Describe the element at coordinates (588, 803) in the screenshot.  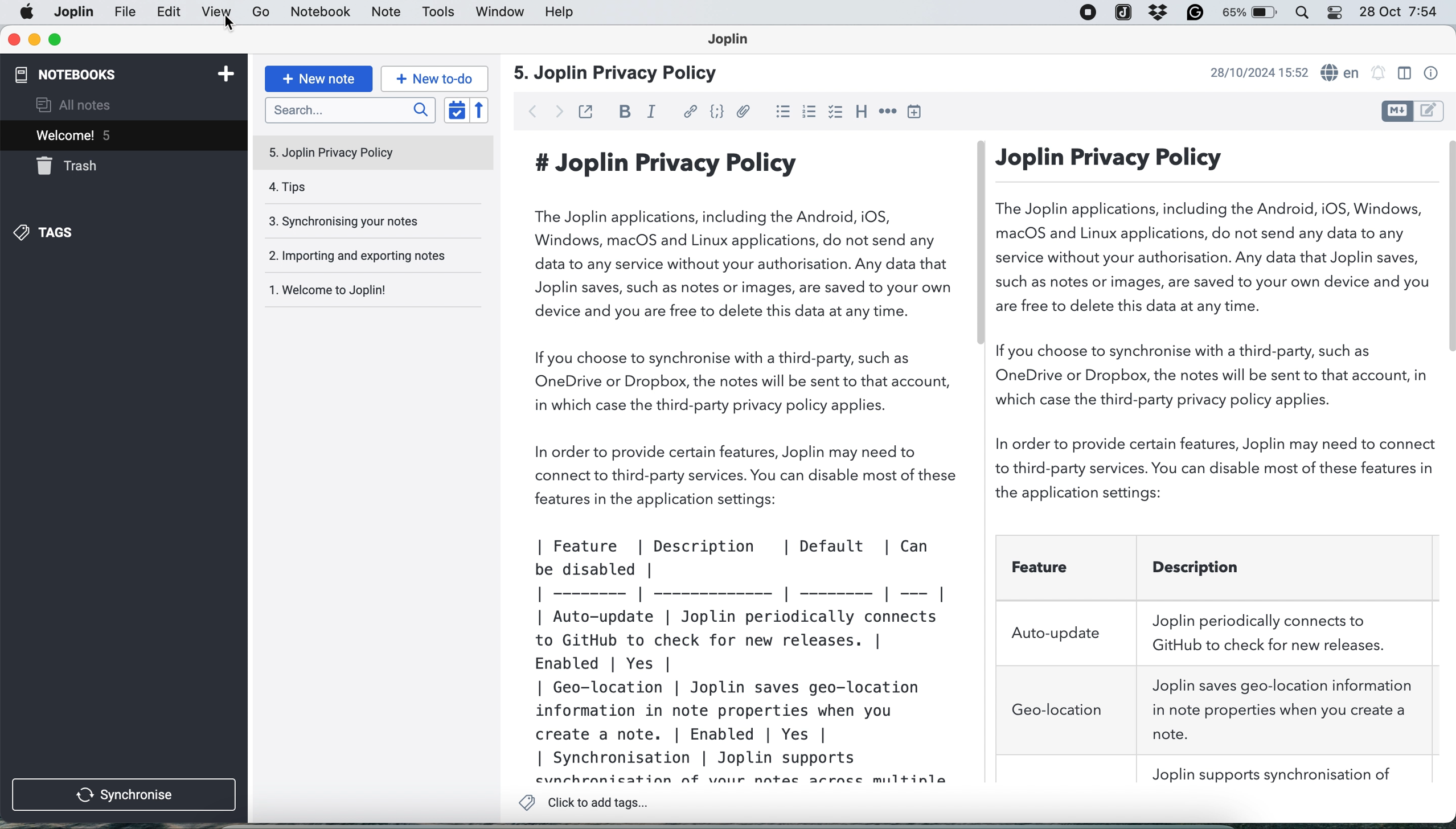
I see `click to add tags` at that location.